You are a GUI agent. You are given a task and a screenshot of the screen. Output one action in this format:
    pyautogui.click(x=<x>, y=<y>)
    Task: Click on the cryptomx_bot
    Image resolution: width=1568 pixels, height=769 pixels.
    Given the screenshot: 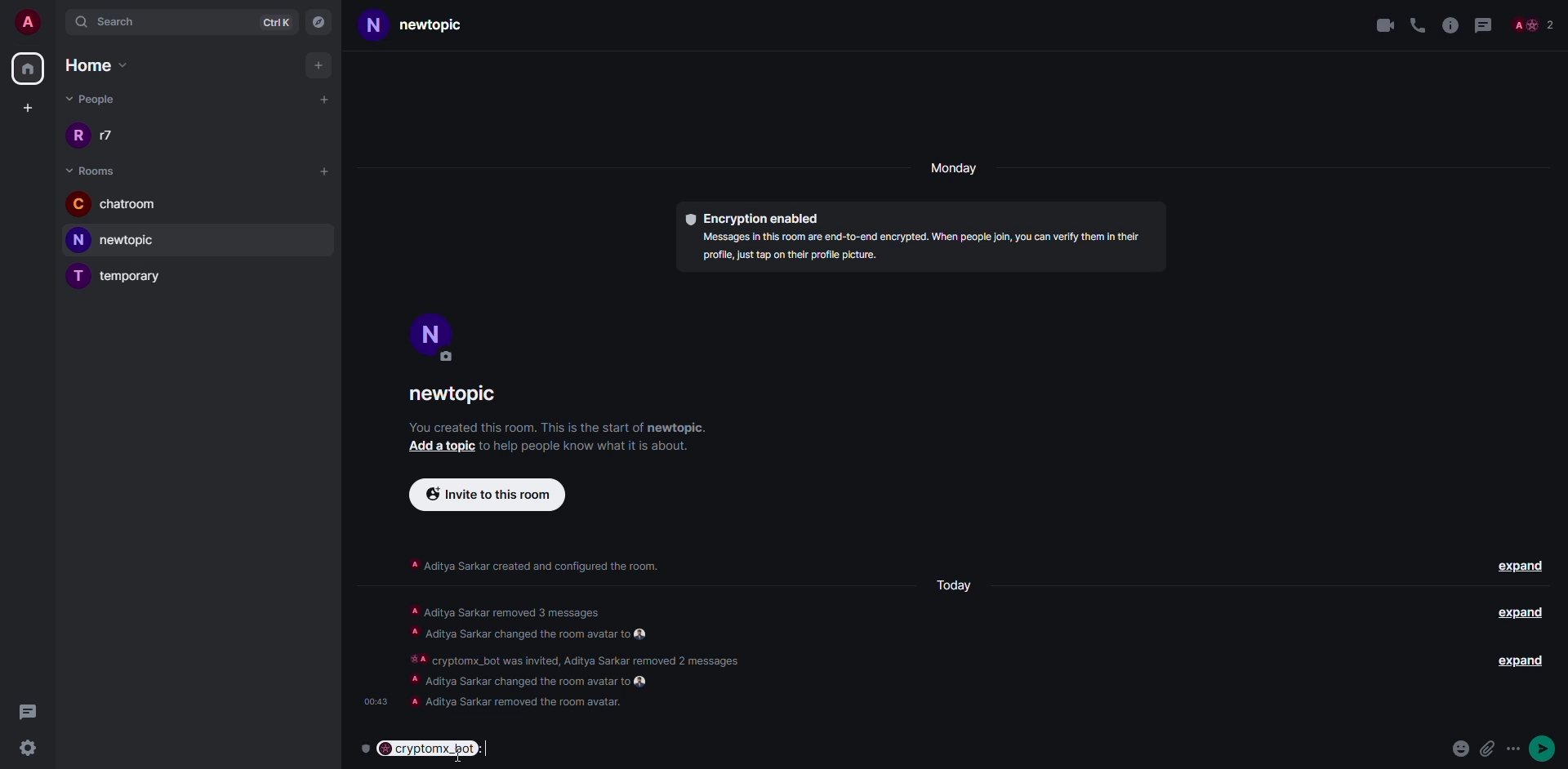 What is the action you would take?
    pyautogui.click(x=434, y=748)
    